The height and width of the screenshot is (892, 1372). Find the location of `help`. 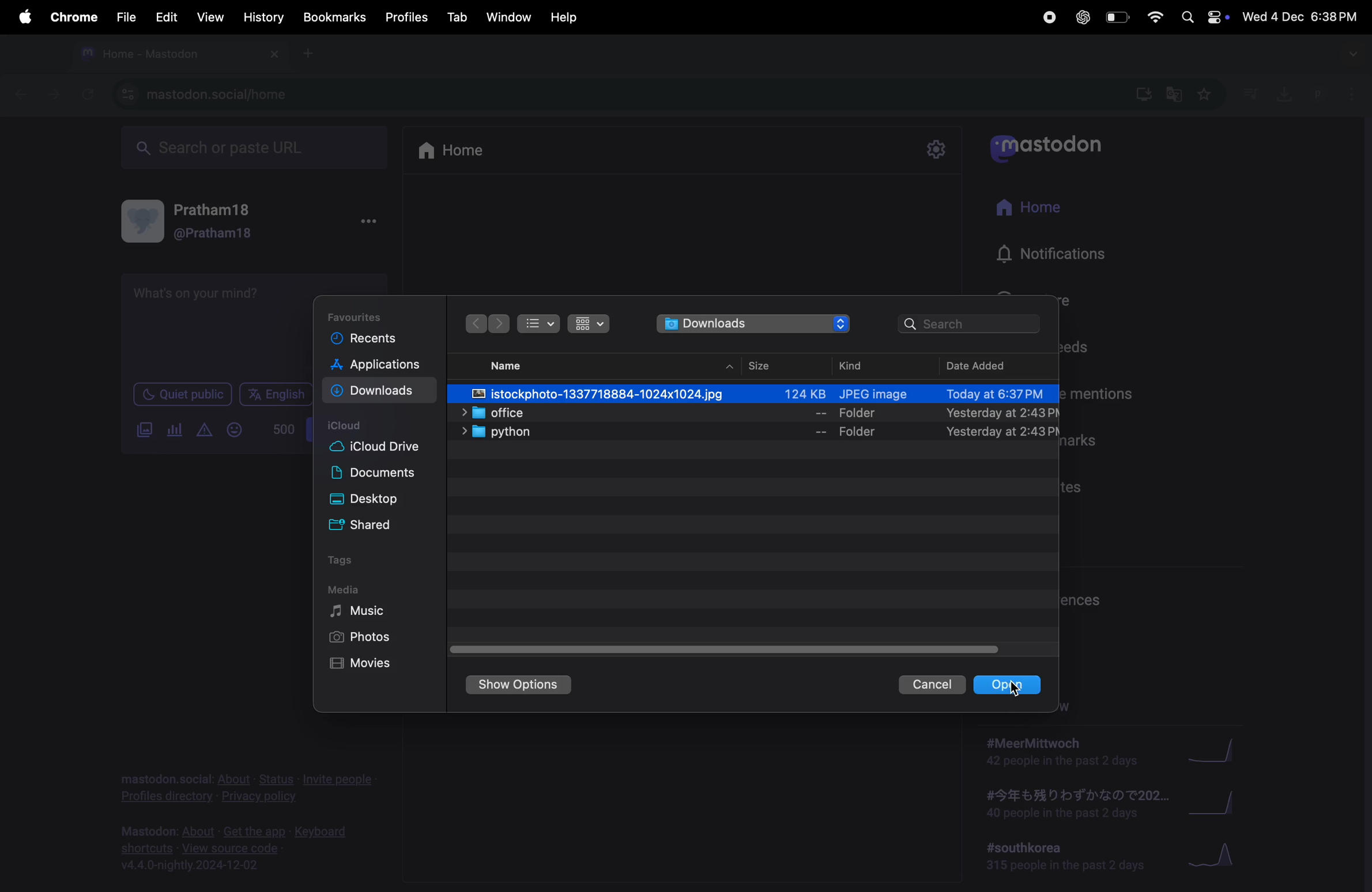

help is located at coordinates (566, 14).